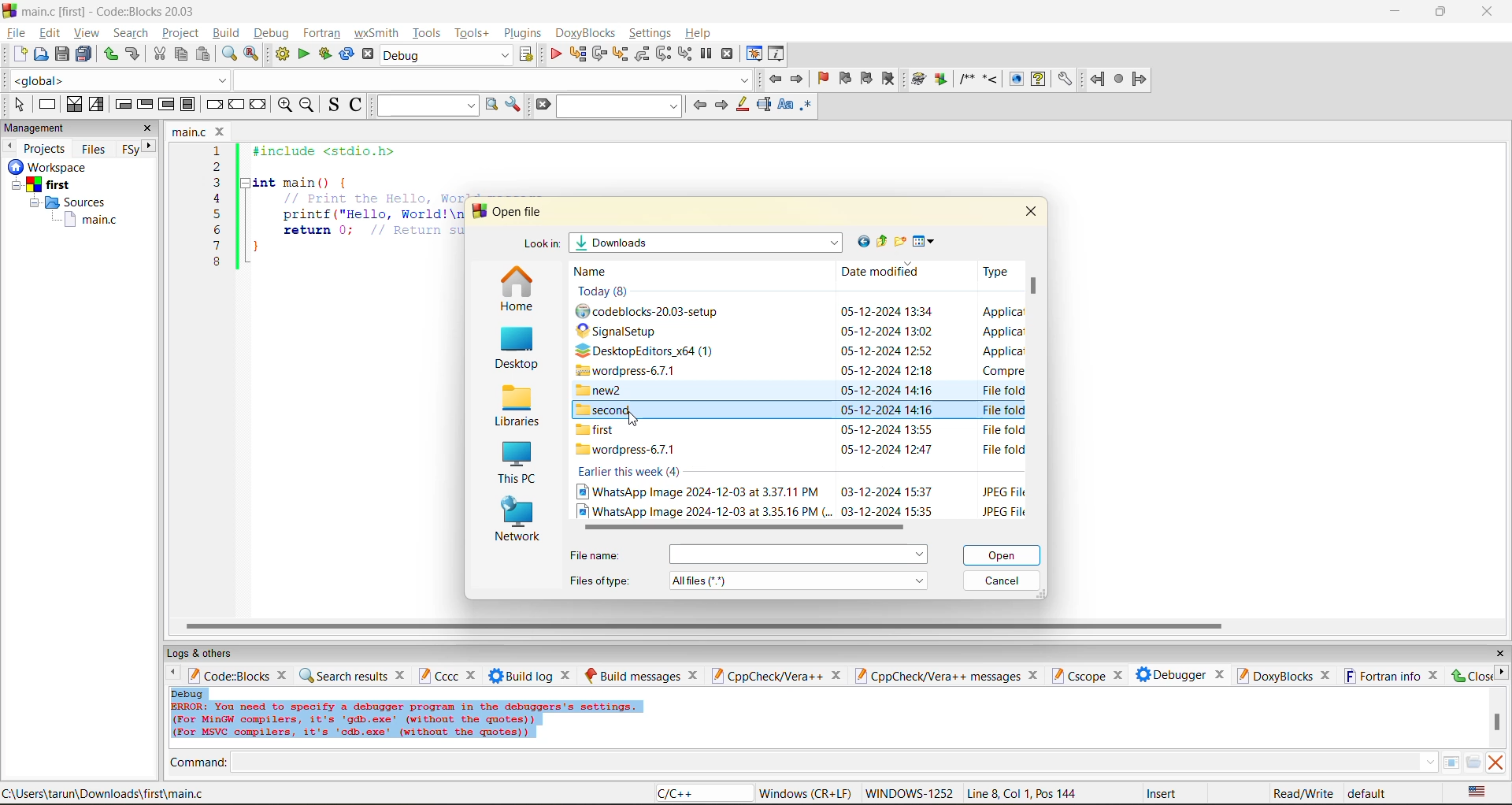  I want to click on int main(){, so click(312, 182).